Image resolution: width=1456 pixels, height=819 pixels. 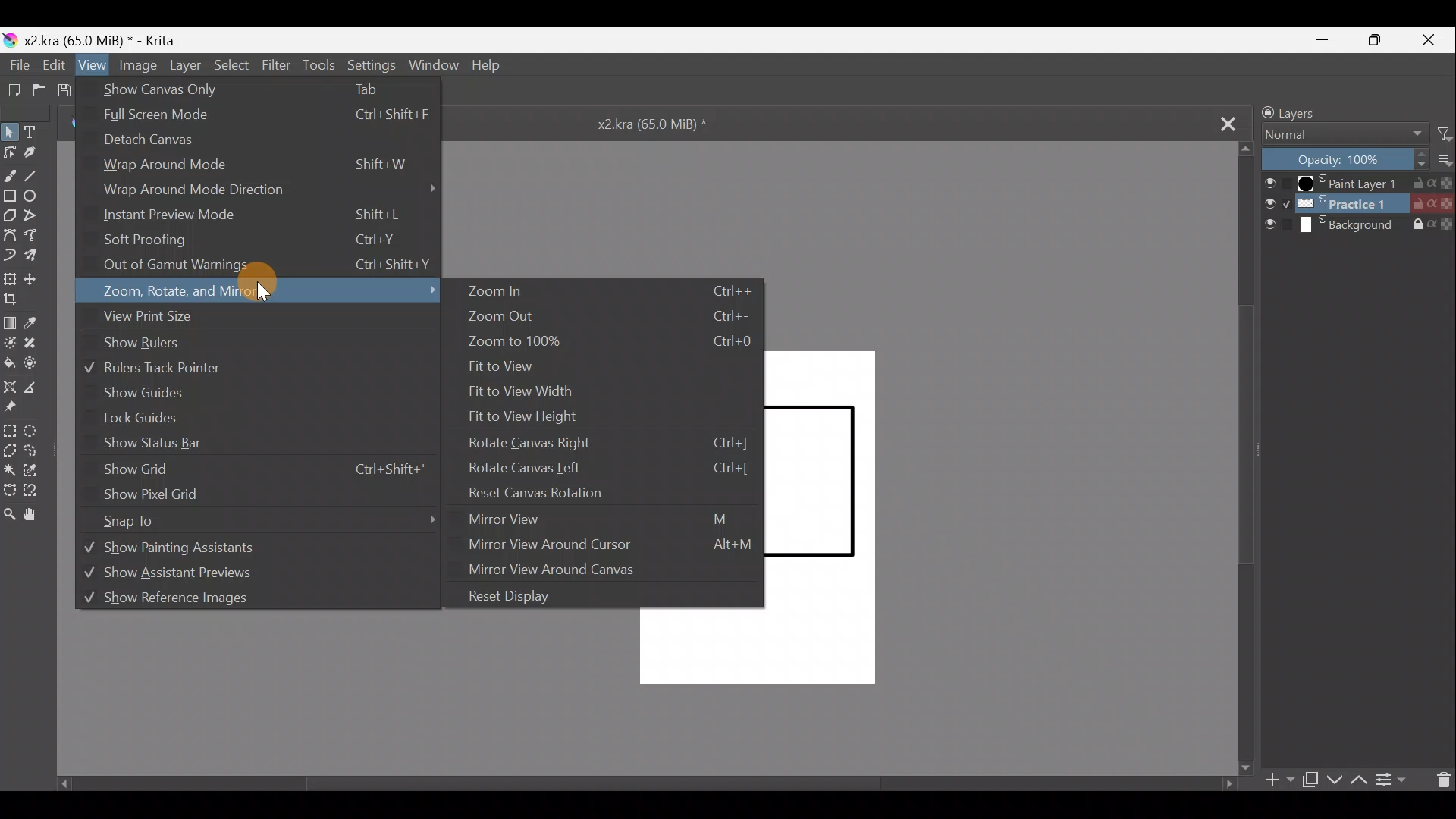 What do you see at coordinates (567, 570) in the screenshot?
I see `Mirror view around canvas` at bounding box center [567, 570].